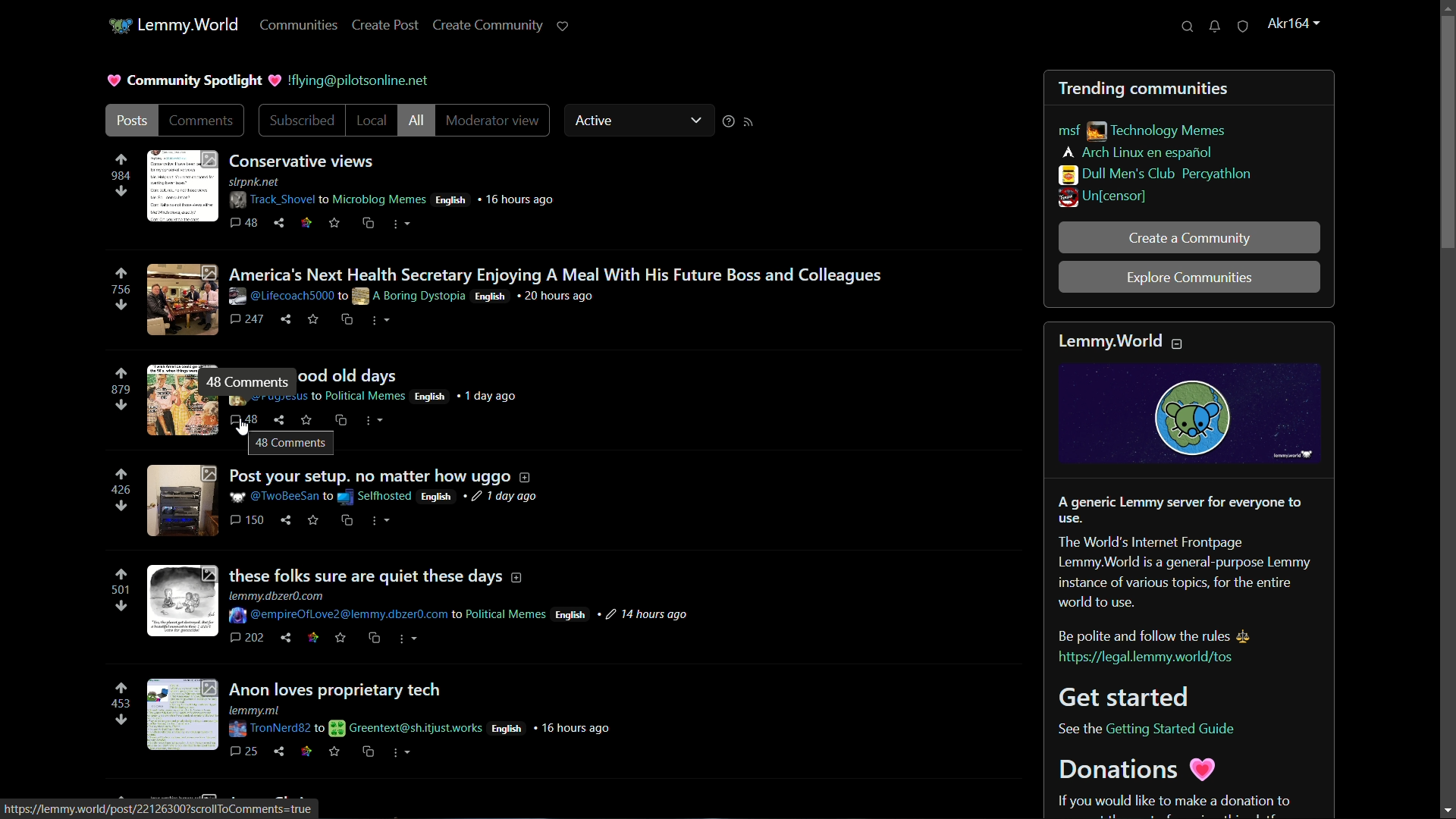  What do you see at coordinates (372, 121) in the screenshot?
I see `local` at bounding box center [372, 121].